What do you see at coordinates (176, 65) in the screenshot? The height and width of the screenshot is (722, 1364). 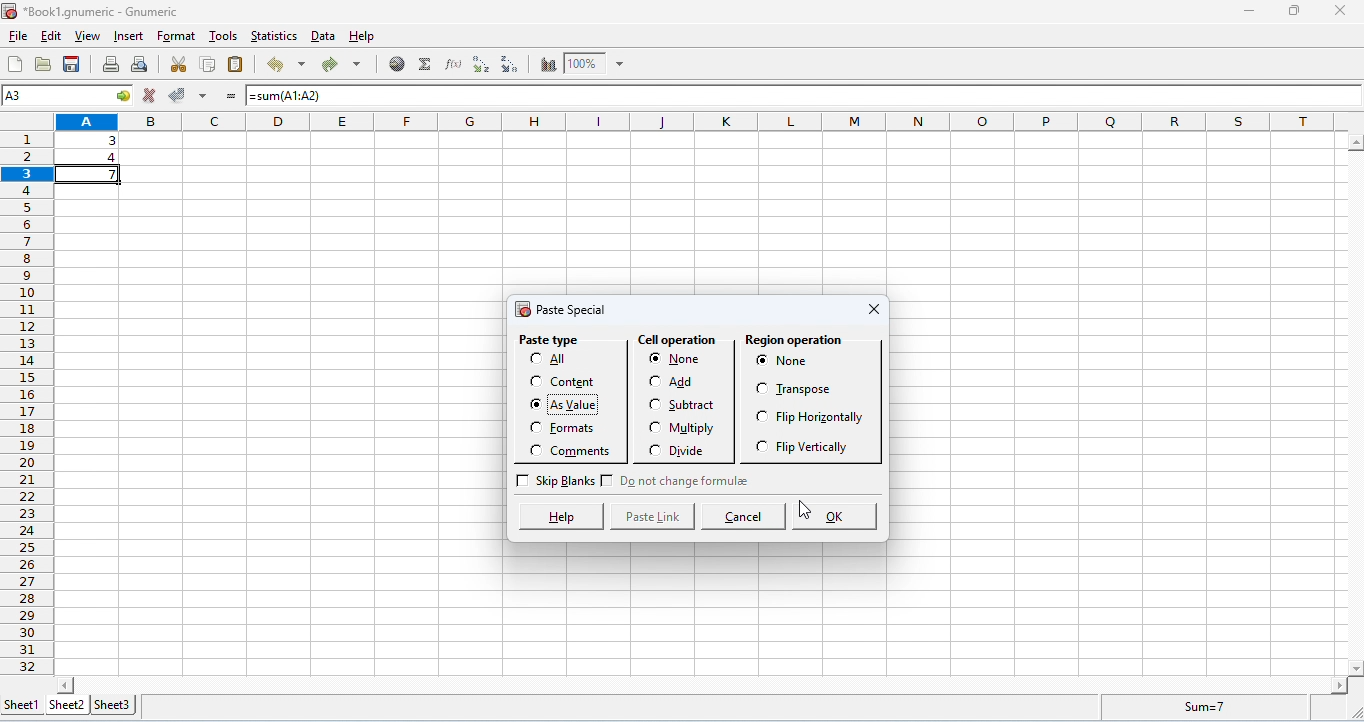 I see `cut` at bounding box center [176, 65].